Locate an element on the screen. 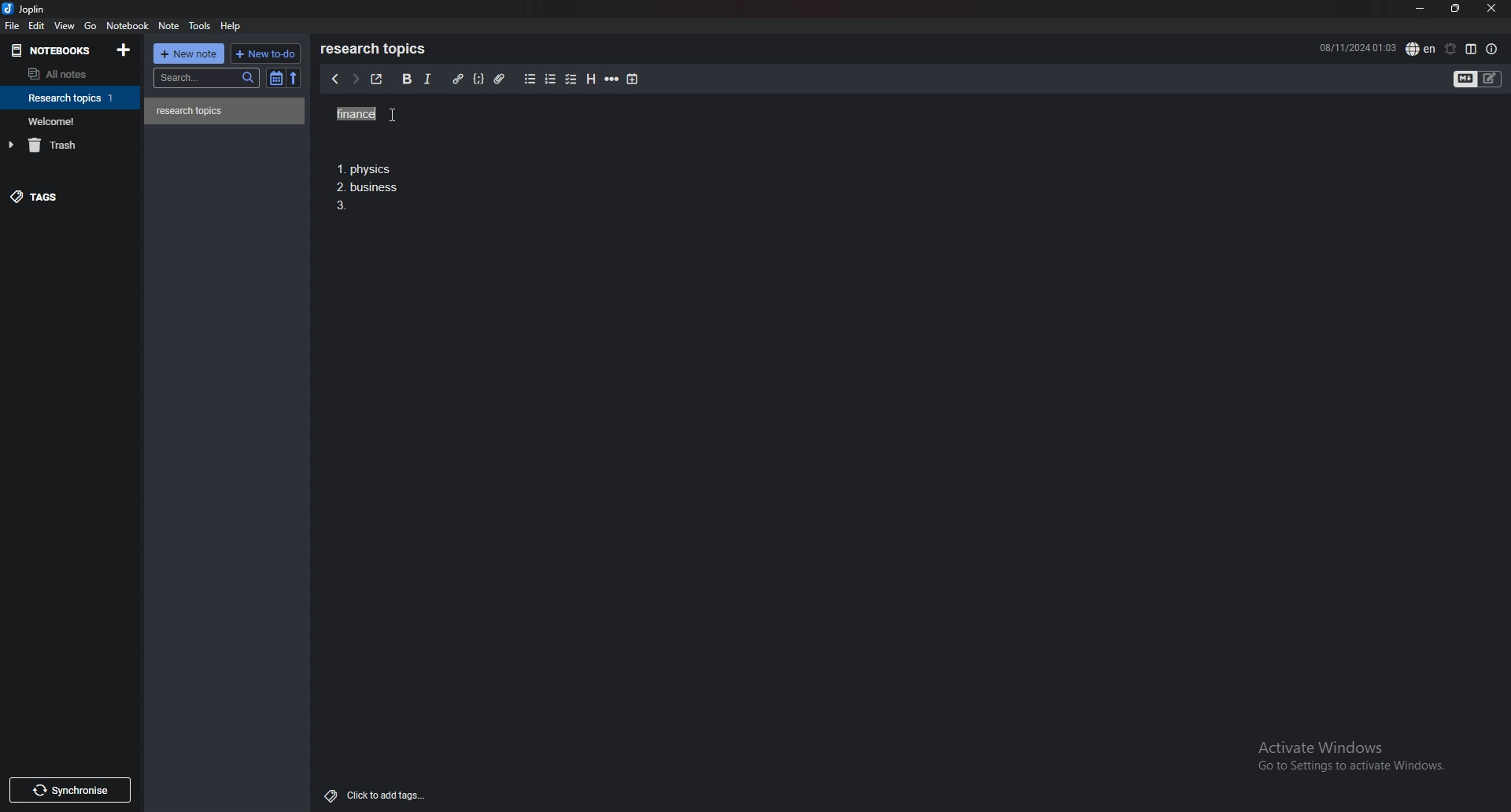  toggle editor layout is located at coordinates (1471, 49).